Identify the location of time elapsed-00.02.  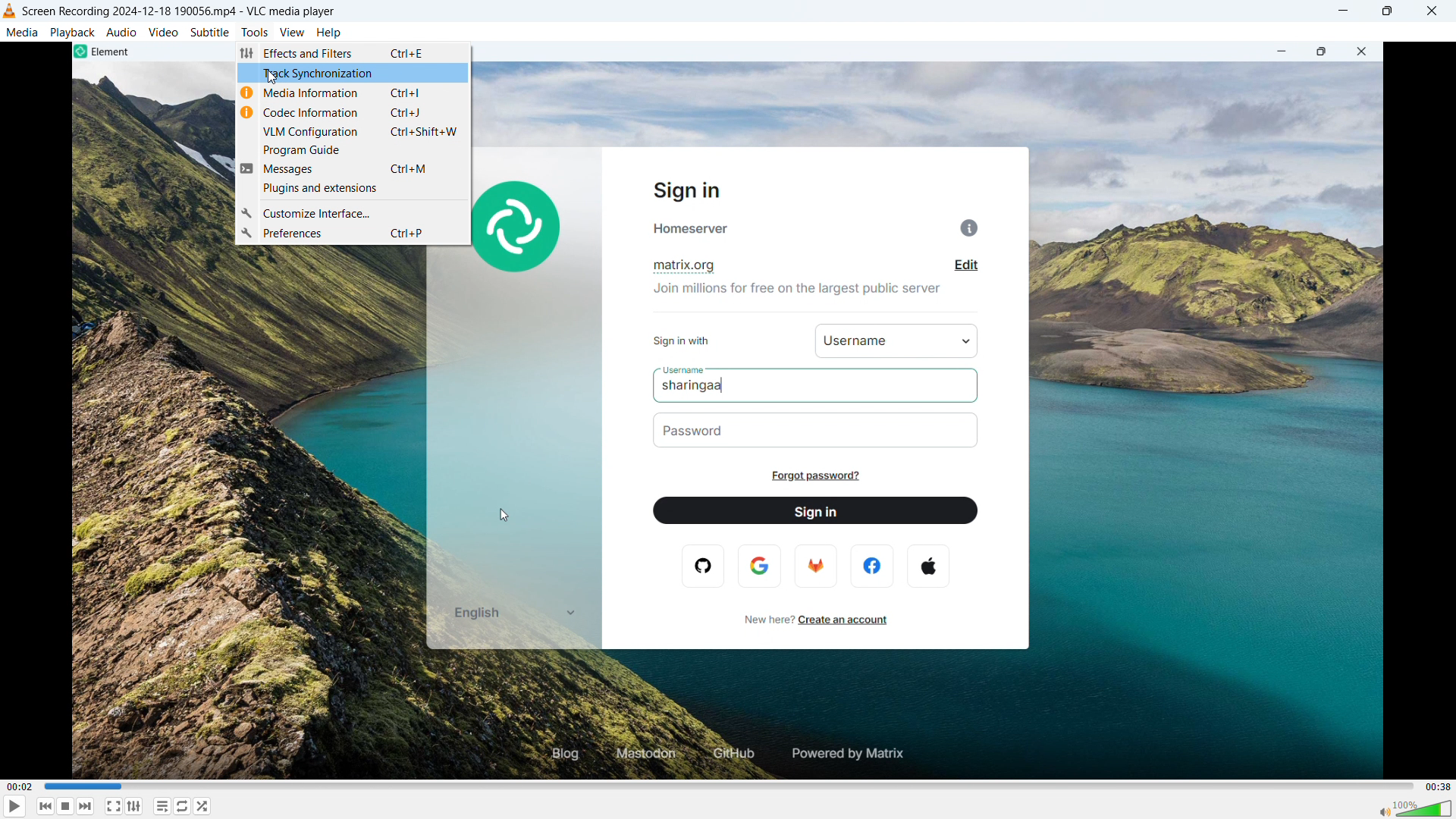
(21, 786).